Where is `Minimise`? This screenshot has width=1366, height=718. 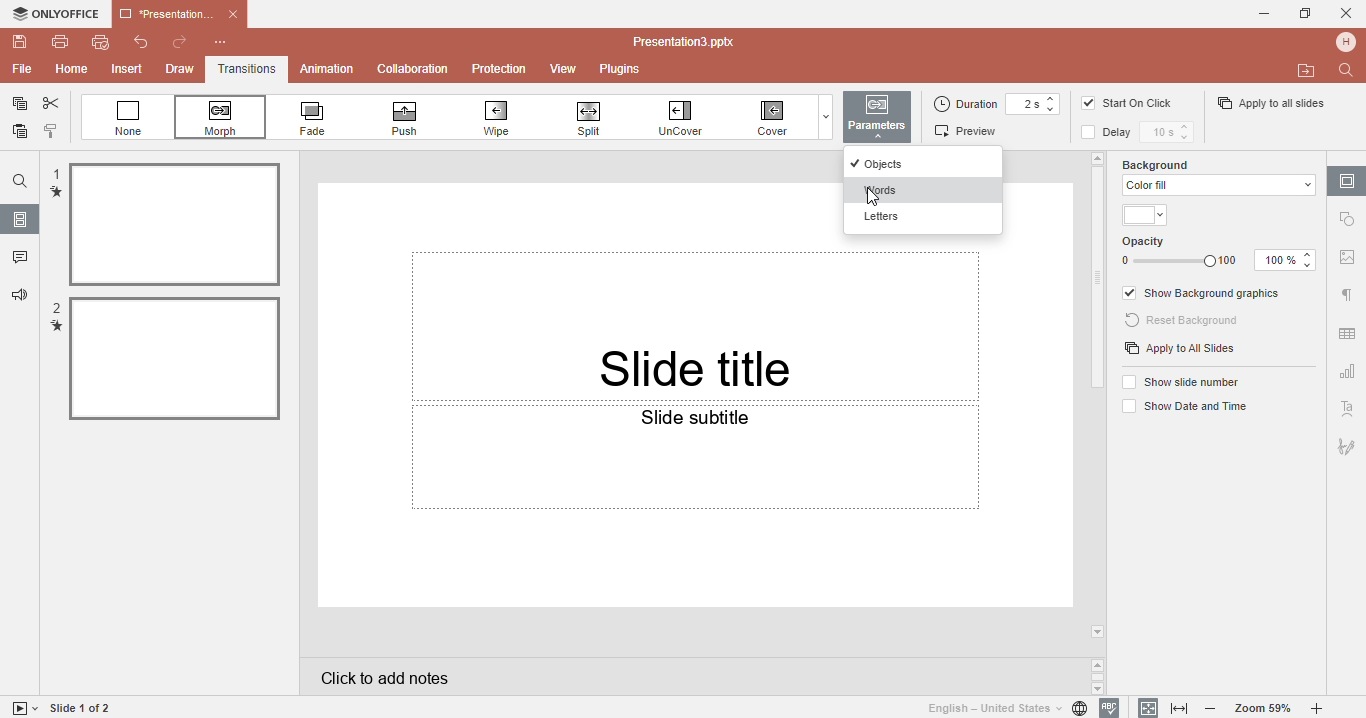
Minimise is located at coordinates (1258, 13).